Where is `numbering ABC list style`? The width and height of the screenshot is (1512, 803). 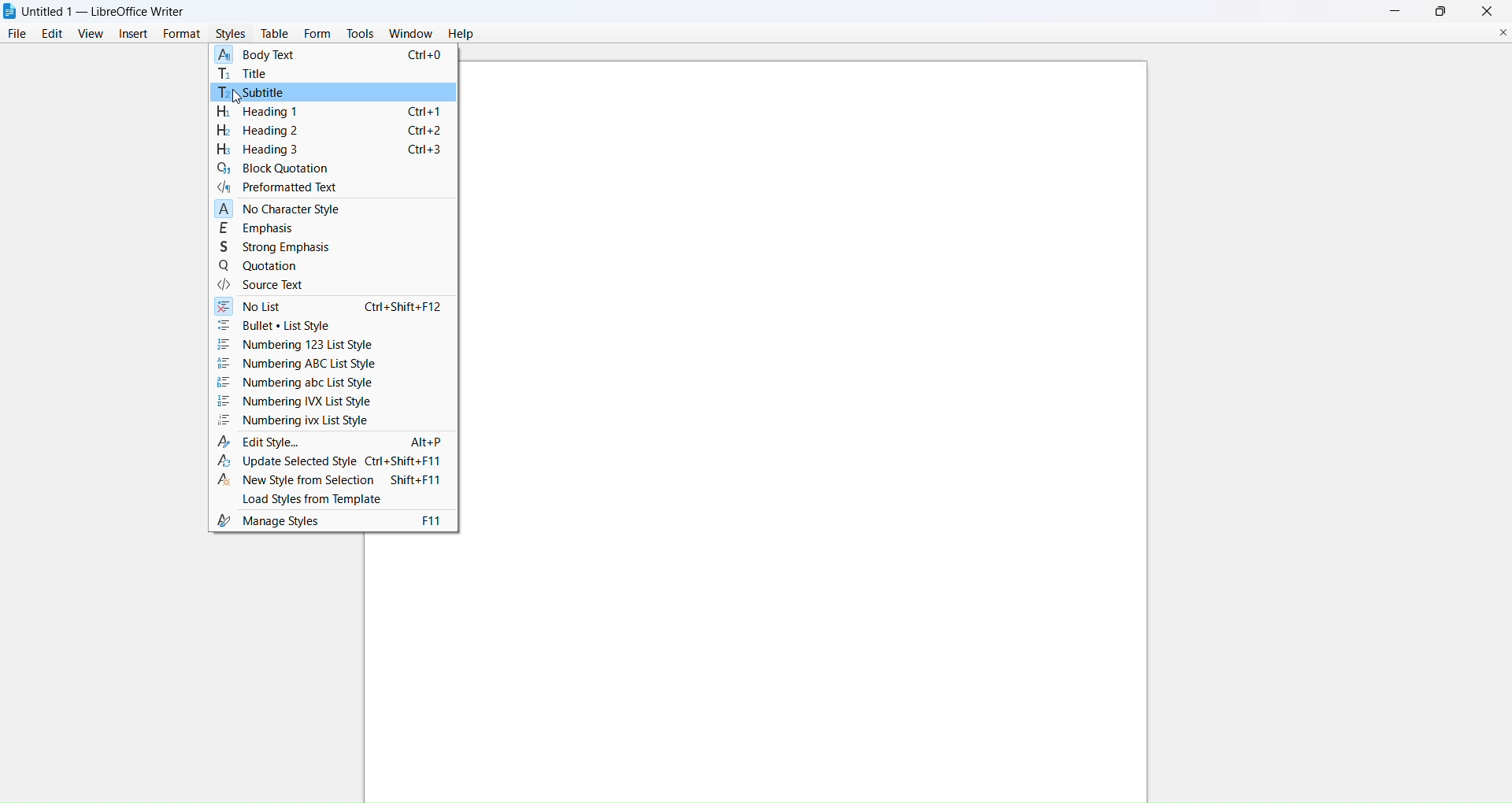 numbering ABC list style is located at coordinates (297, 364).